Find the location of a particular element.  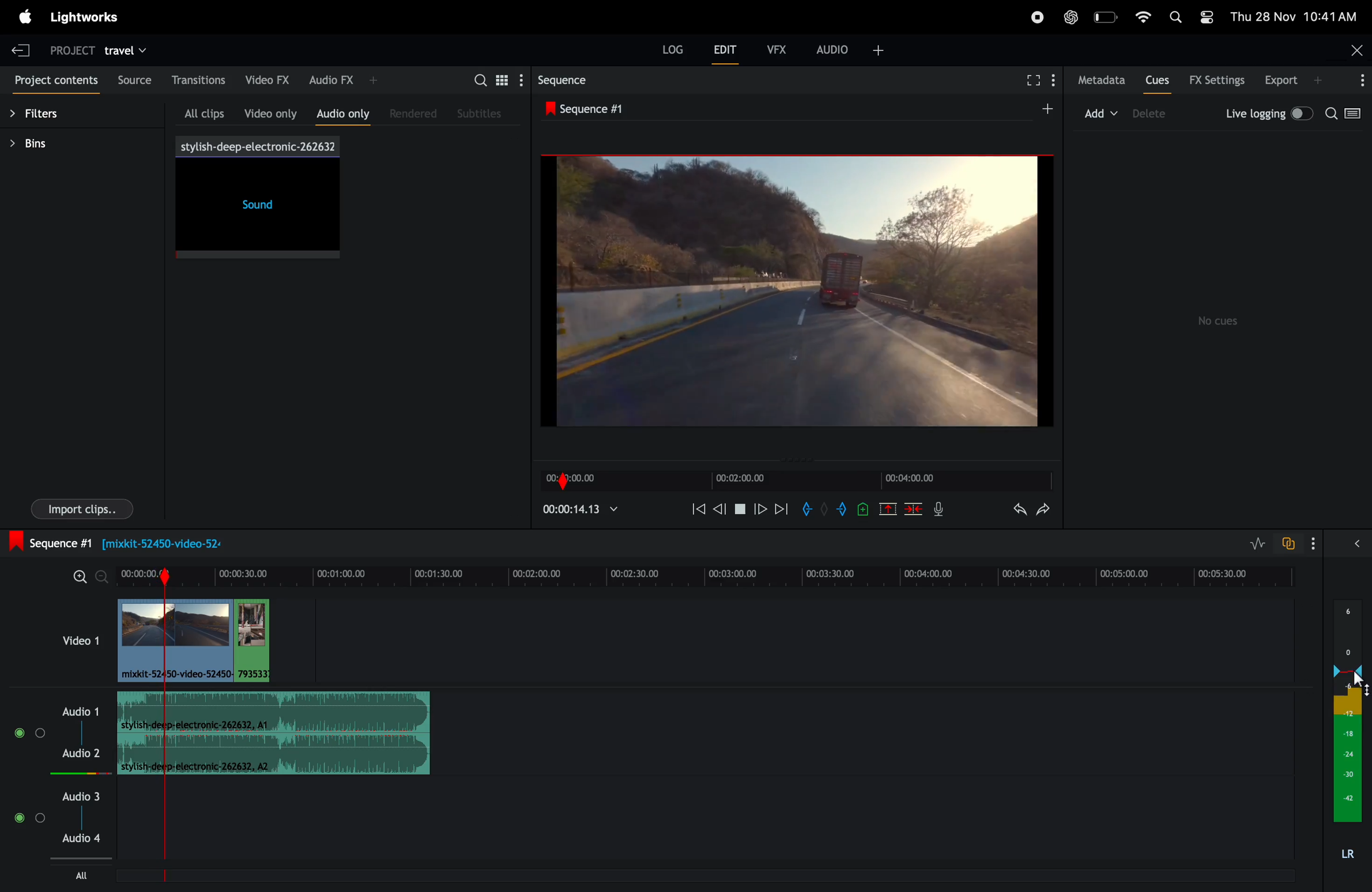

sequence is located at coordinates (583, 81).